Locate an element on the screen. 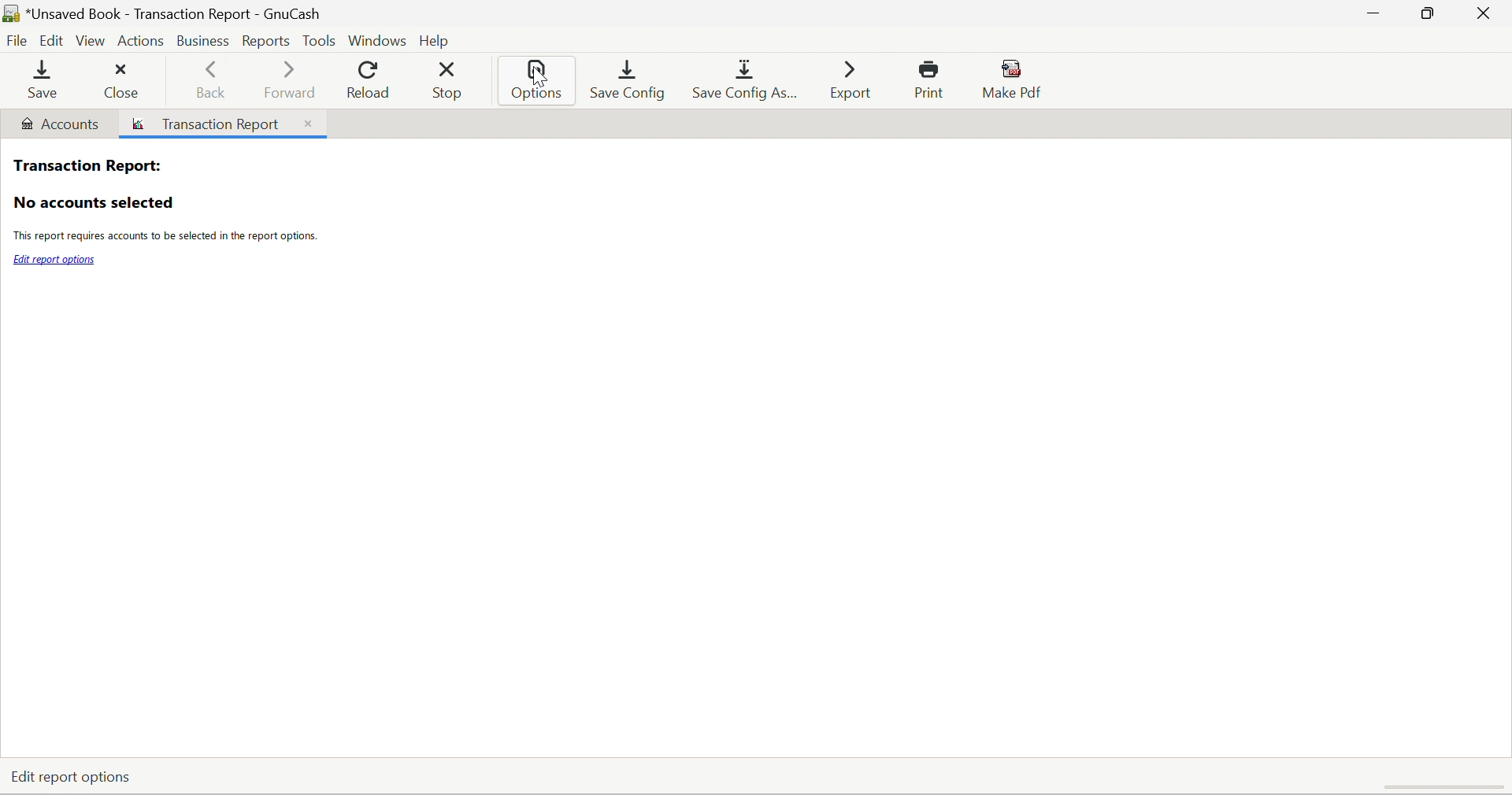  Print is located at coordinates (933, 80).